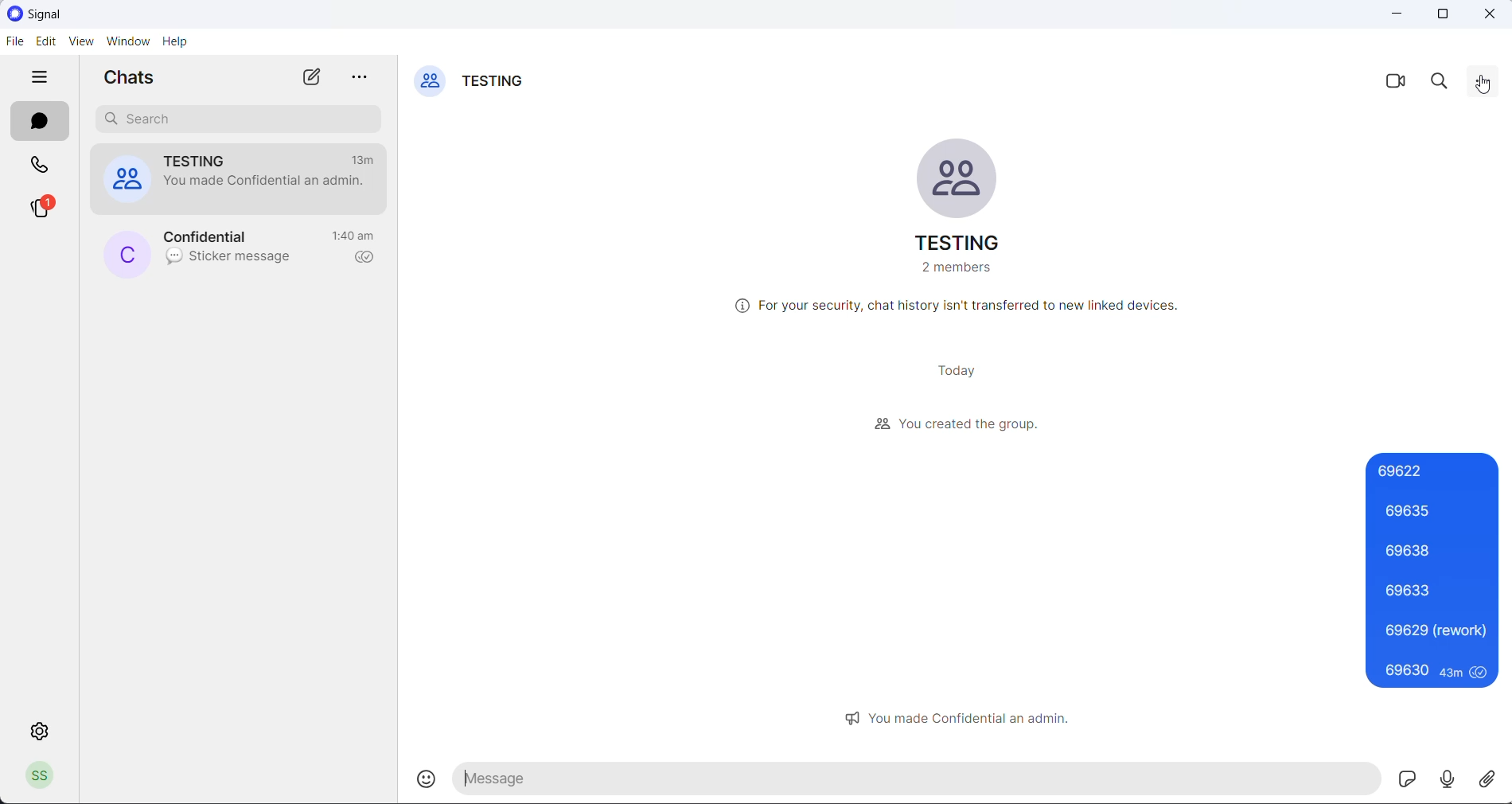  What do you see at coordinates (1494, 15) in the screenshot?
I see `close` at bounding box center [1494, 15].